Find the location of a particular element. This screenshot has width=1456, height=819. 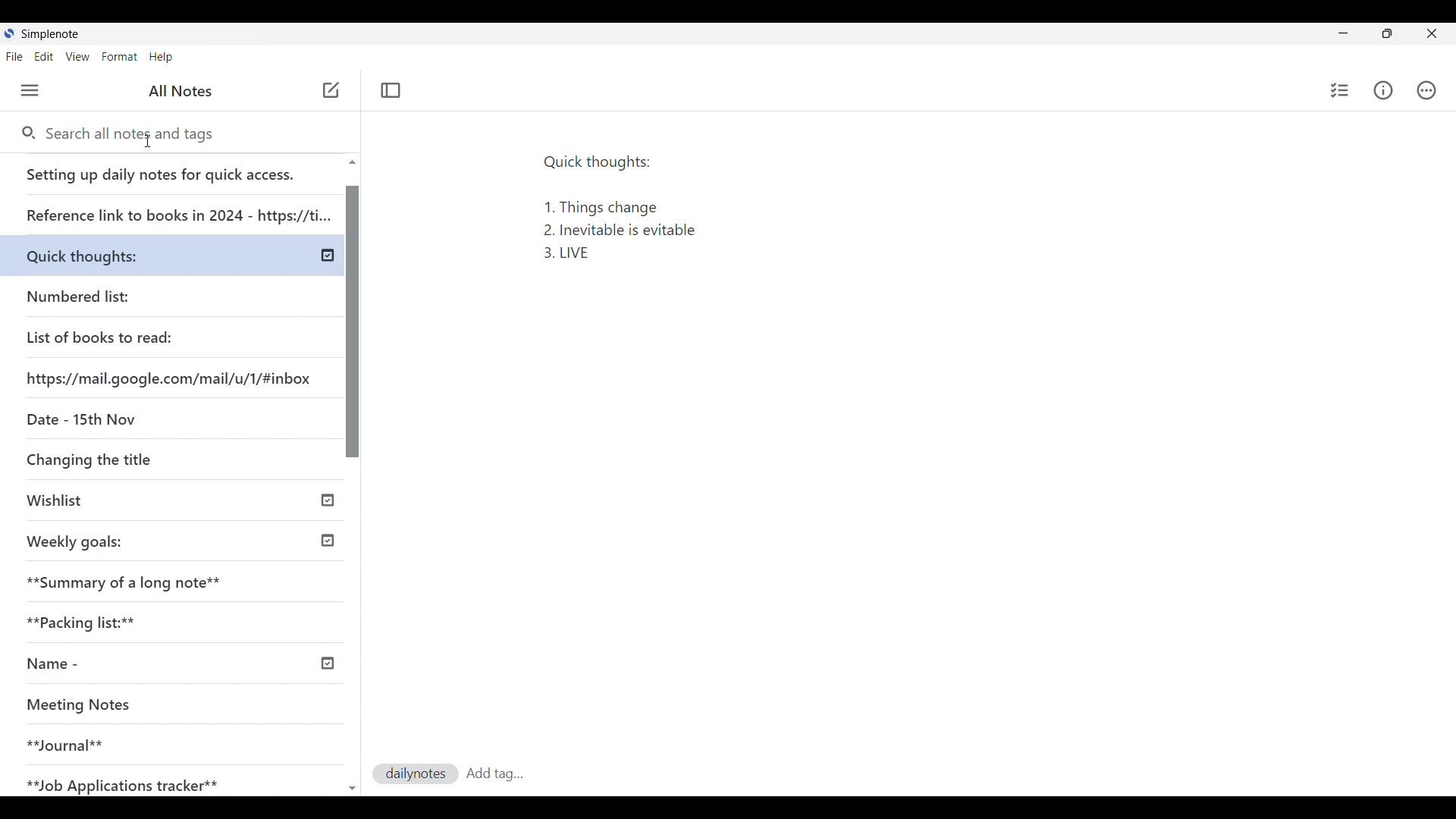

Edit menu is located at coordinates (44, 57).